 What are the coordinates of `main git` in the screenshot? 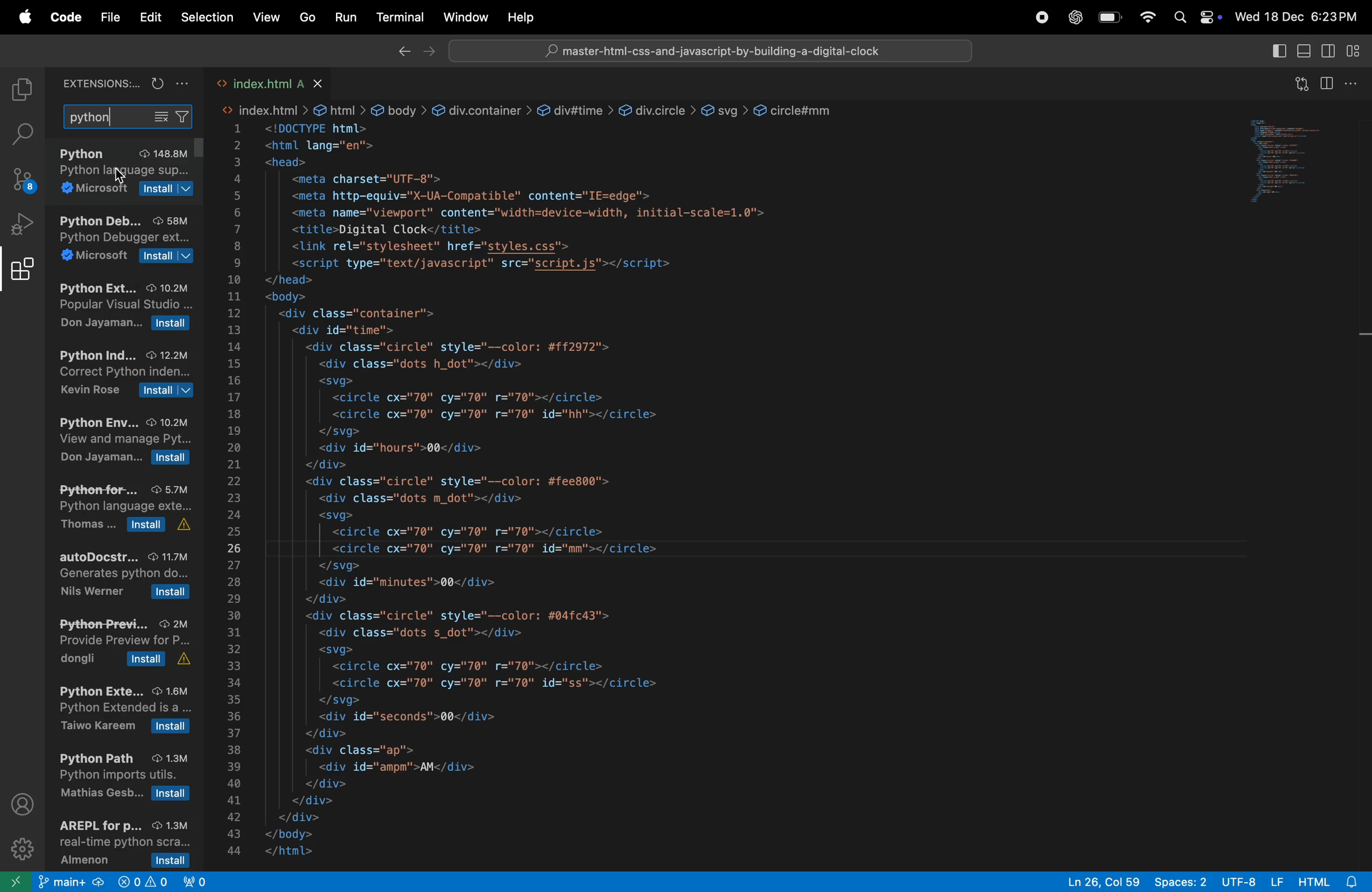 It's located at (71, 884).